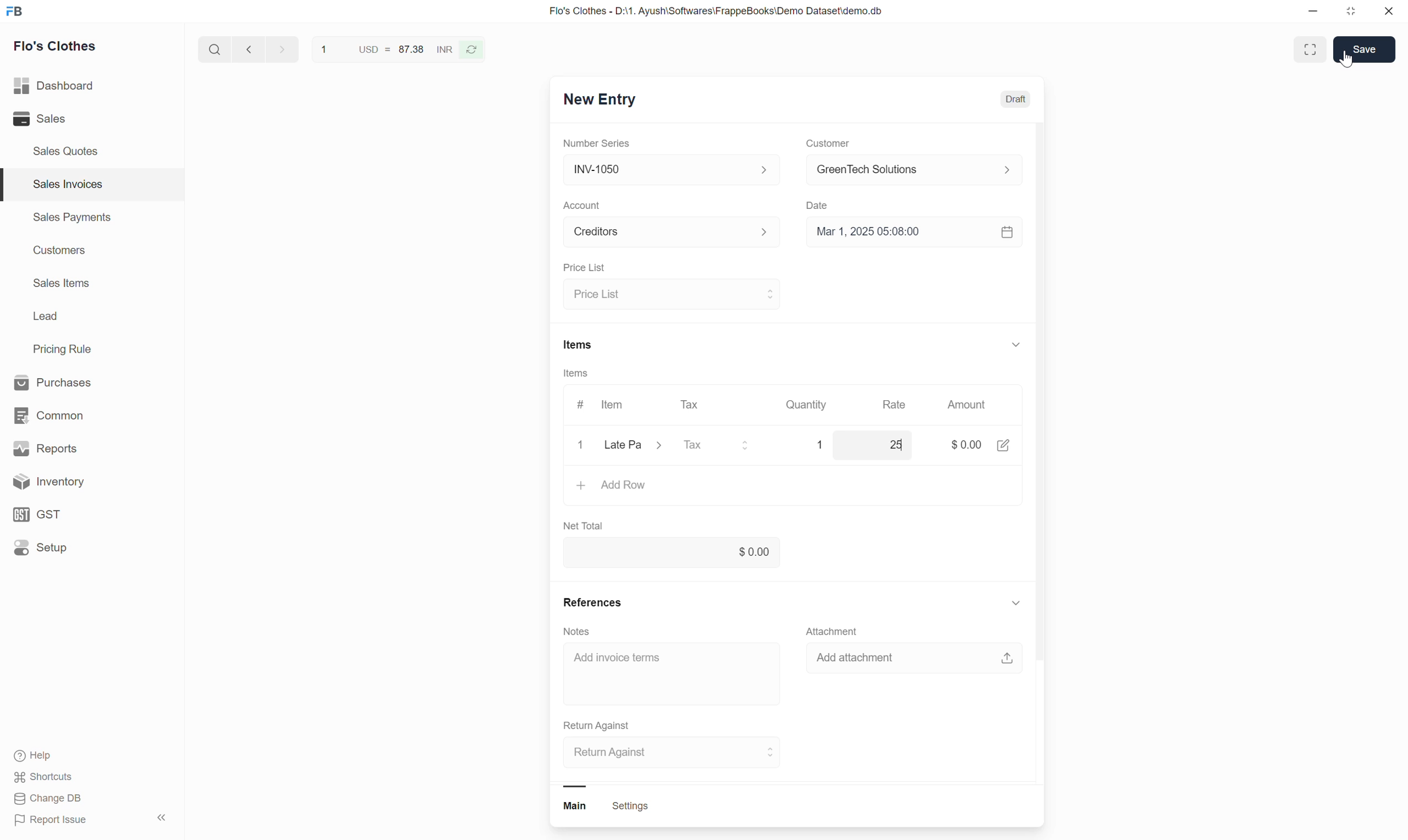 The width and height of the screenshot is (1408, 840). What do you see at coordinates (919, 660) in the screenshot?
I see `add attachment ` at bounding box center [919, 660].